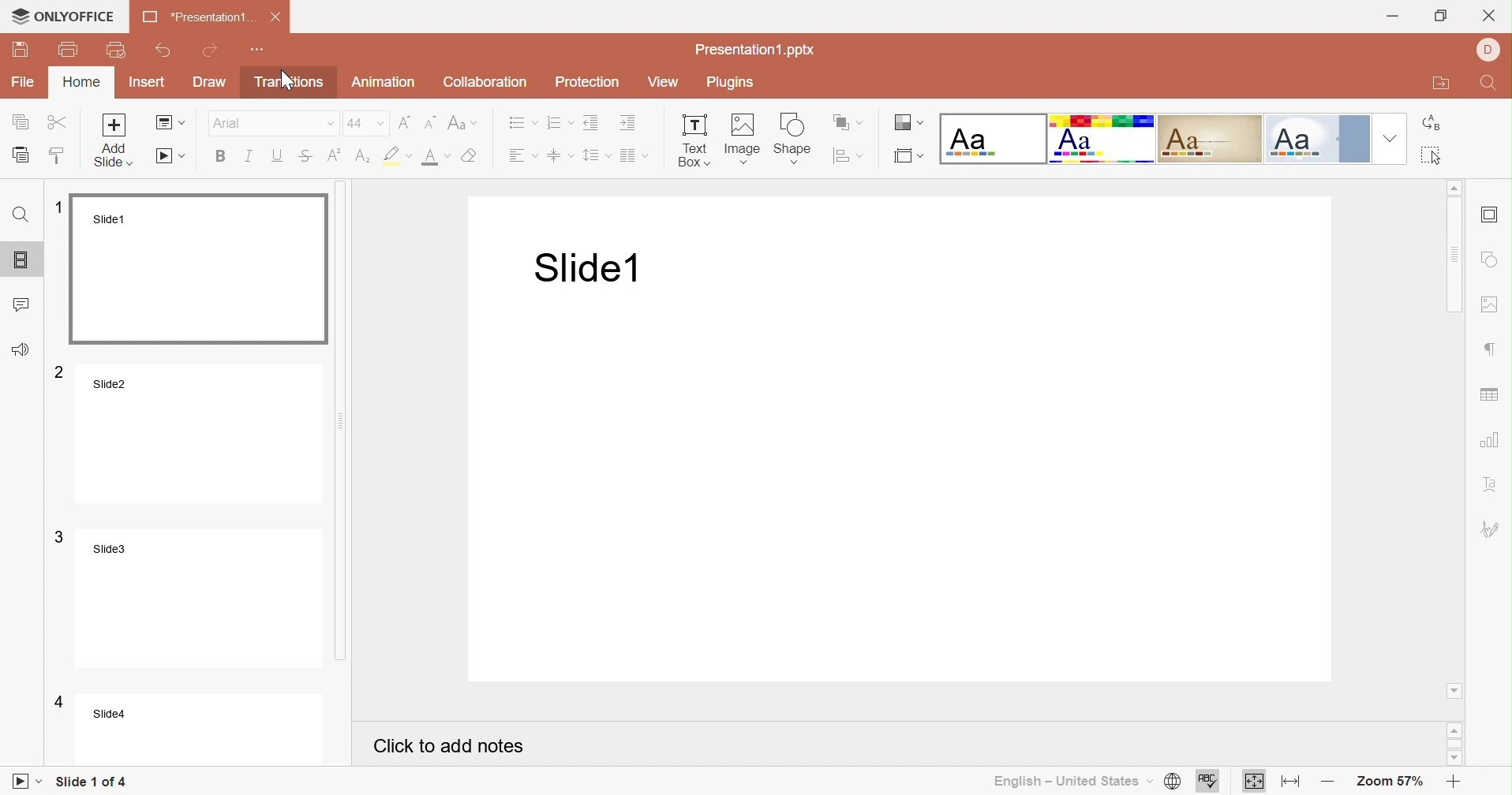  What do you see at coordinates (62, 371) in the screenshot?
I see `2` at bounding box center [62, 371].